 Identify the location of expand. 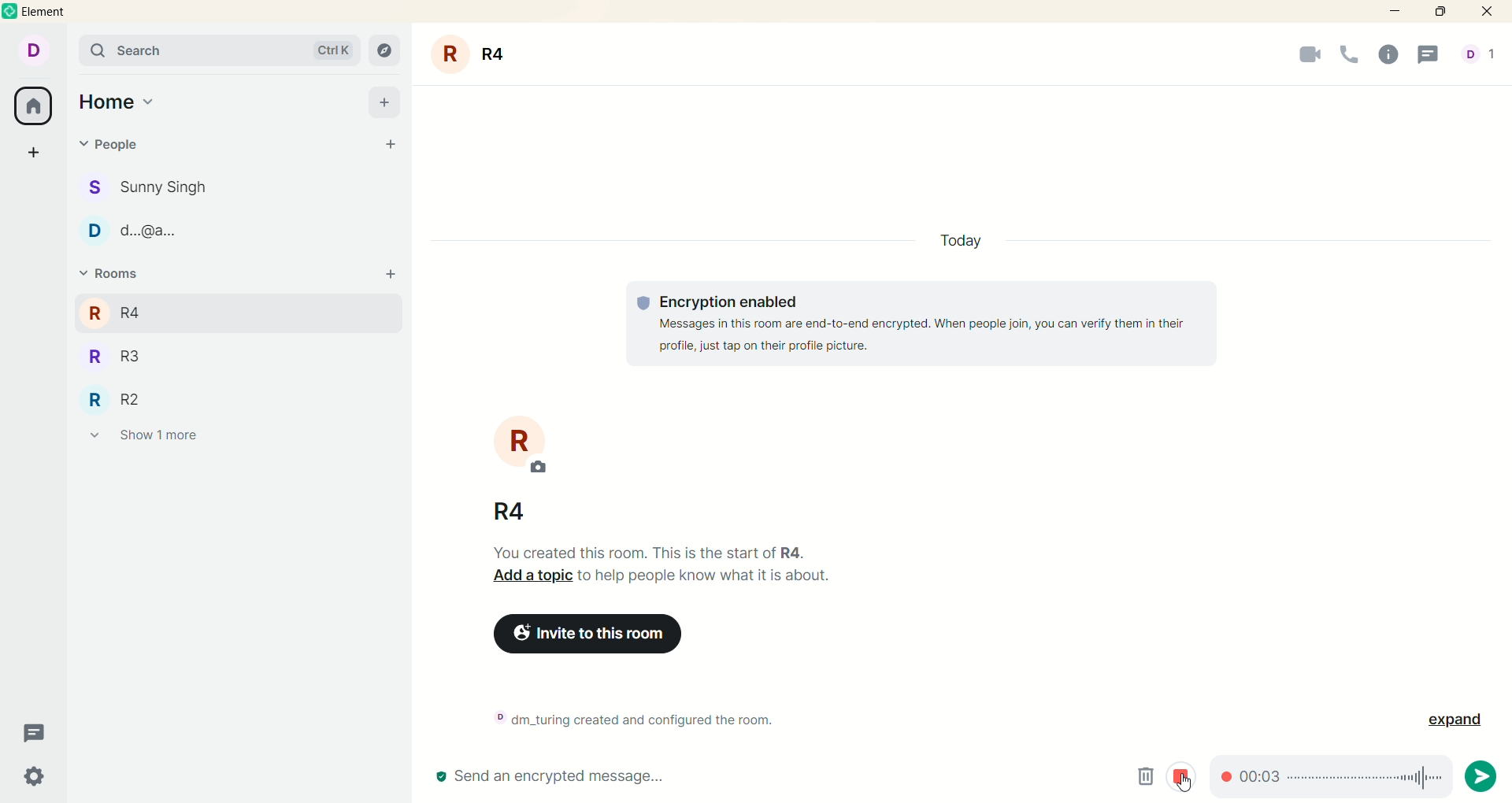
(1451, 718).